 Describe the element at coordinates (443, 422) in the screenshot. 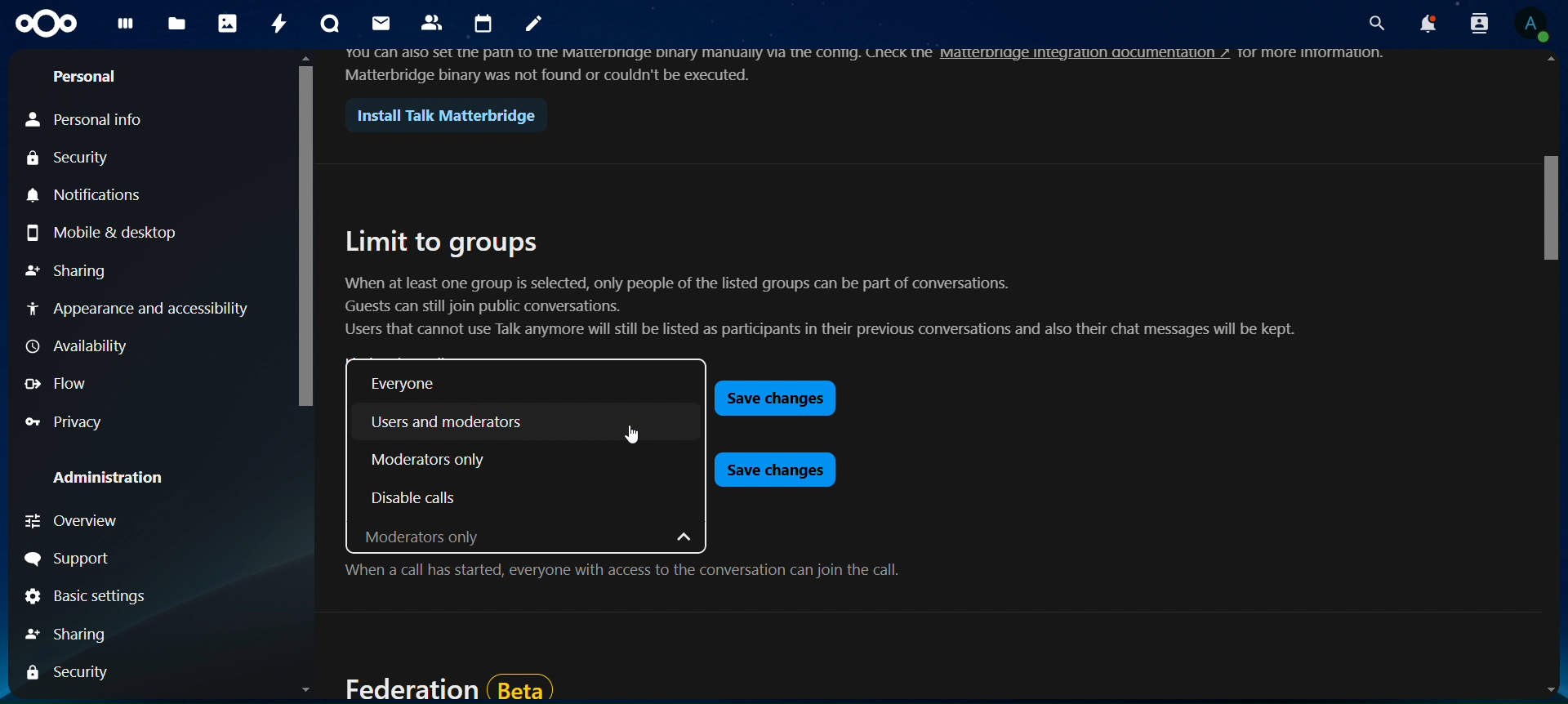

I see `users and moderators` at that location.